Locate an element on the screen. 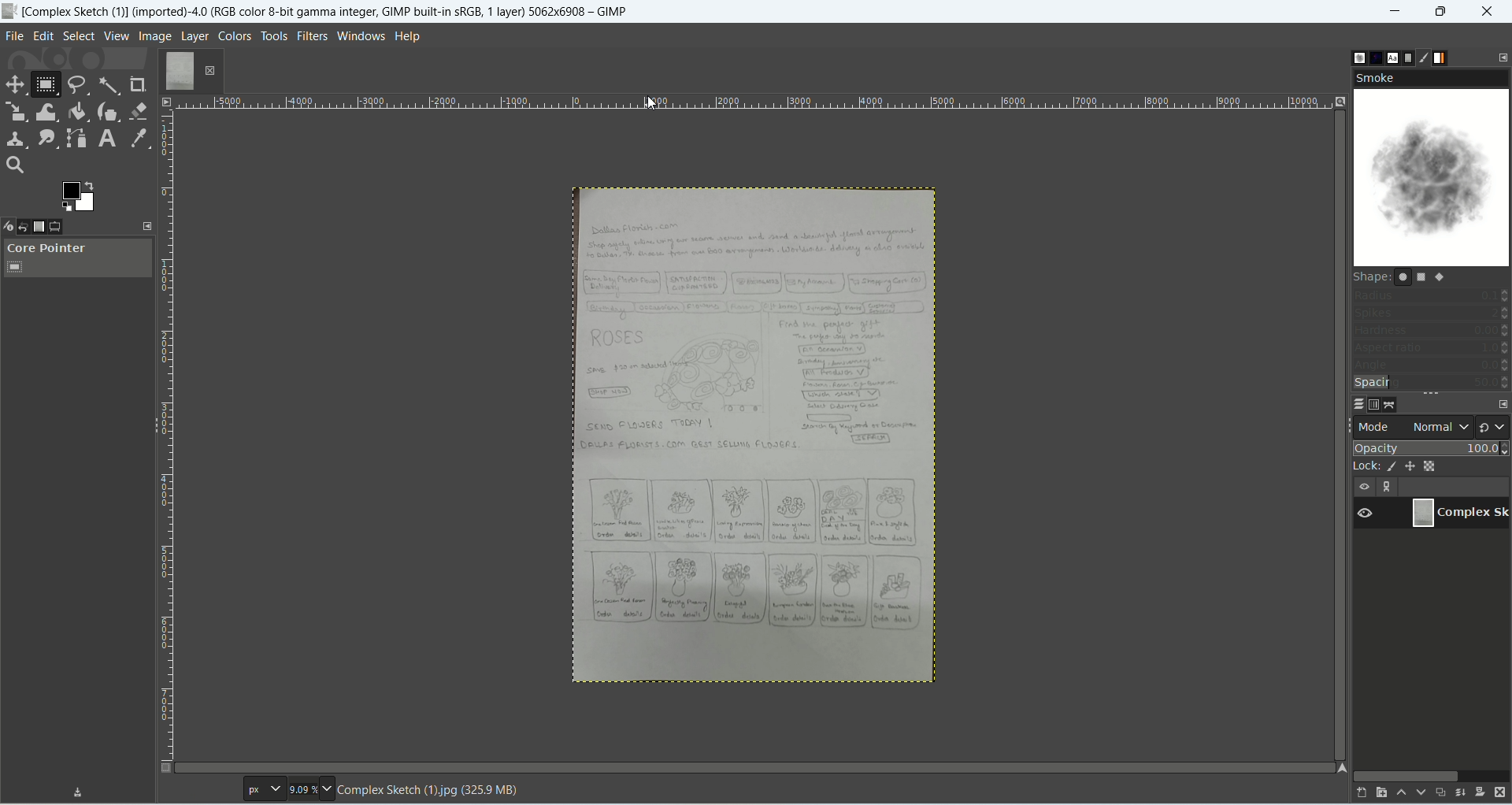 The image size is (1512, 805). layer linking is located at coordinates (1385, 488).